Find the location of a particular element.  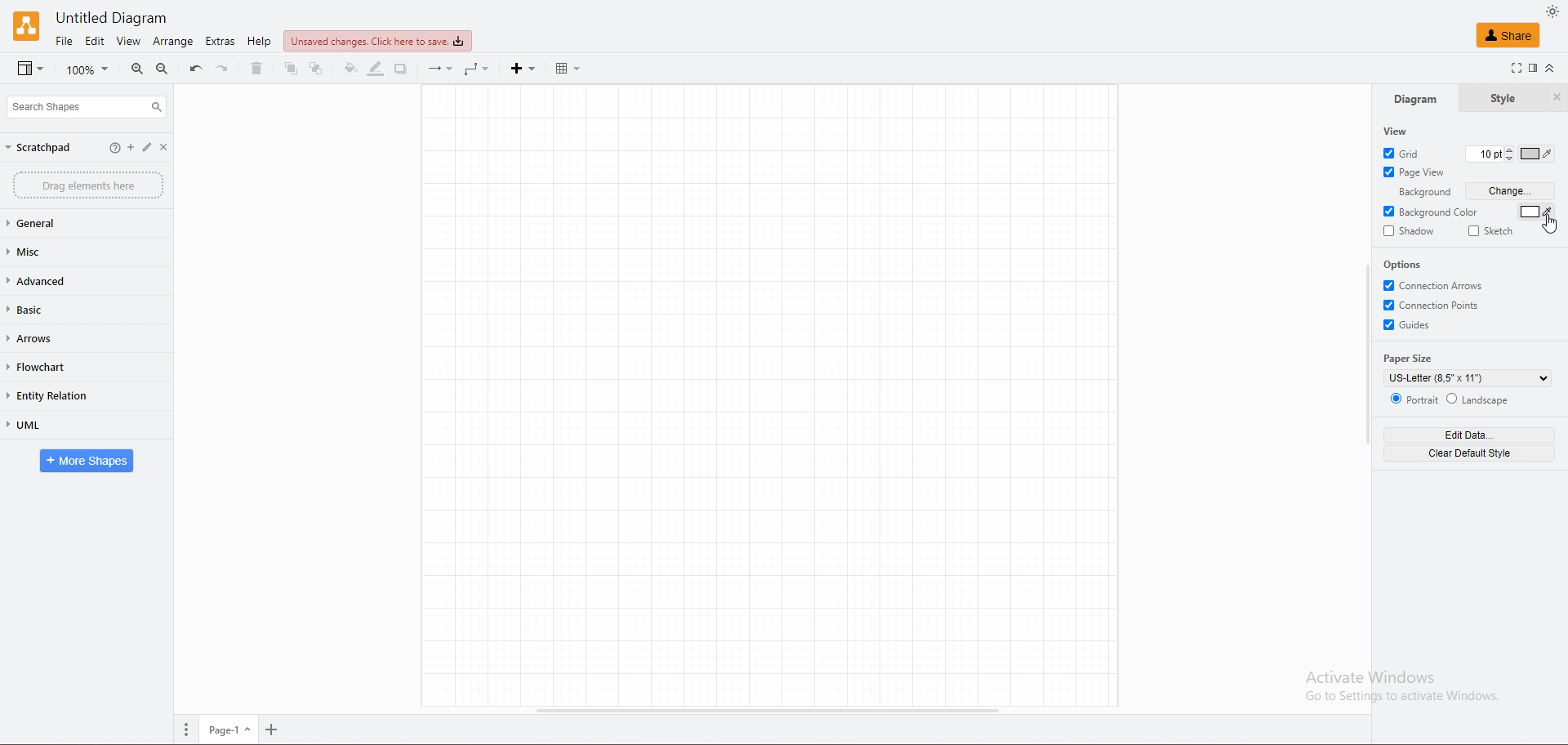

click to save is located at coordinates (377, 40).